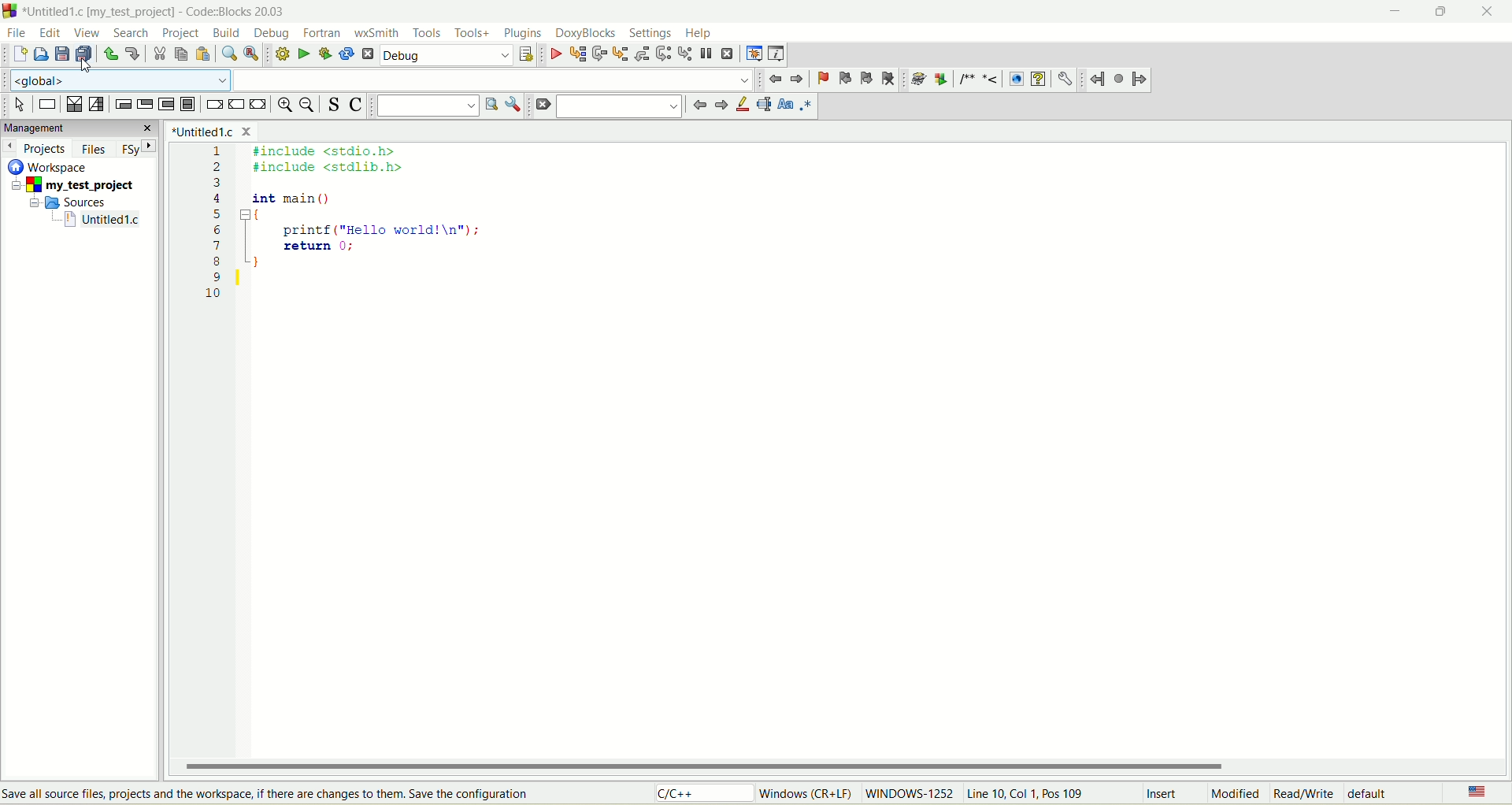 This screenshot has height=805, width=1512. I want to click on ,anagement, so click(79, 128).